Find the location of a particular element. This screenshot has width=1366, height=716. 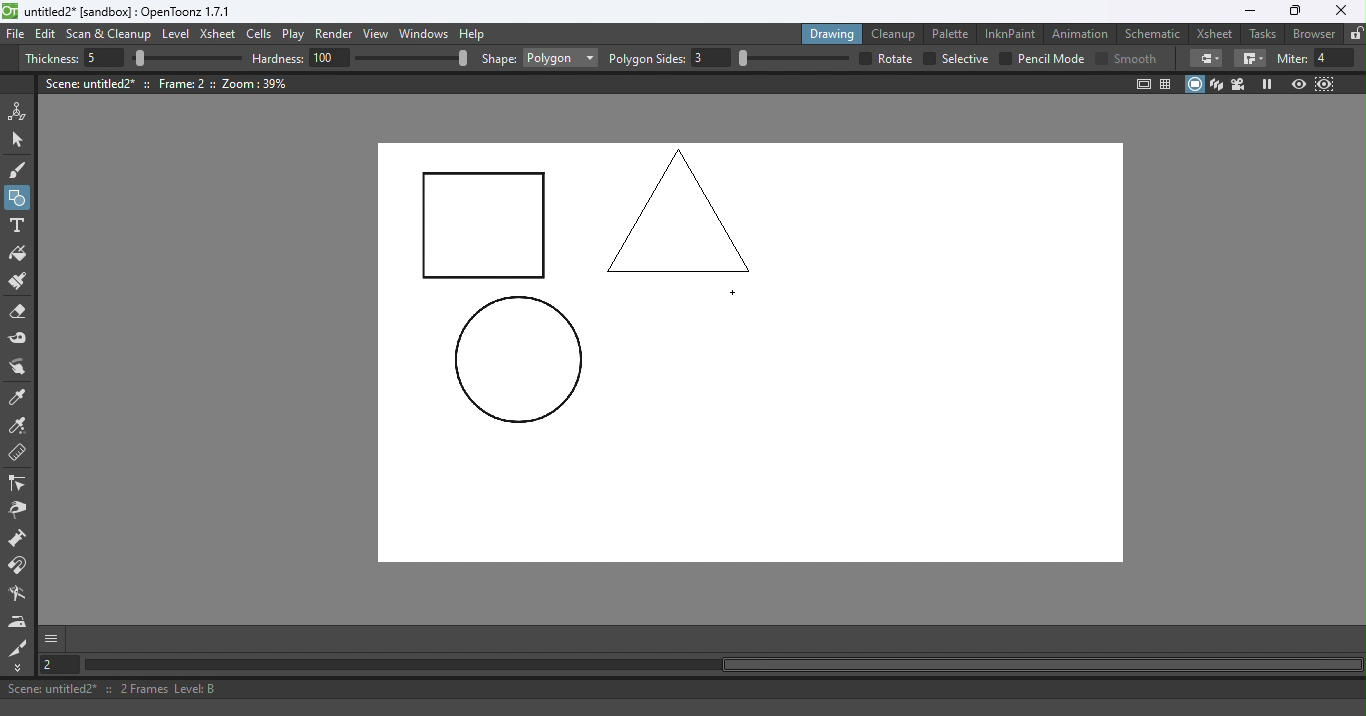

File is located at coordinates (16, 35).